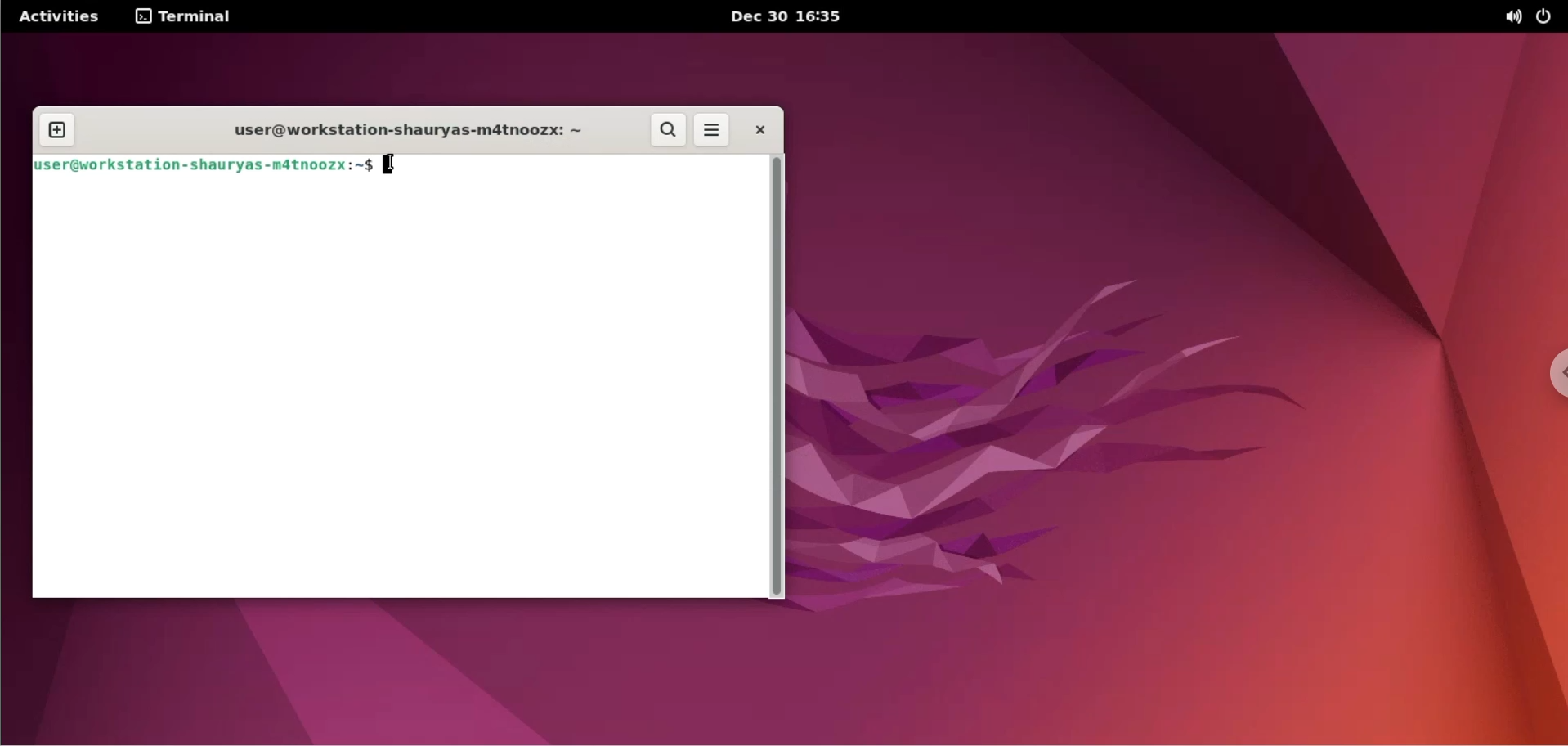 This screenshot has height=746, width=1568. Describe the element at coordinates (60, 16) in the screenshot. I see `activities` at that location.